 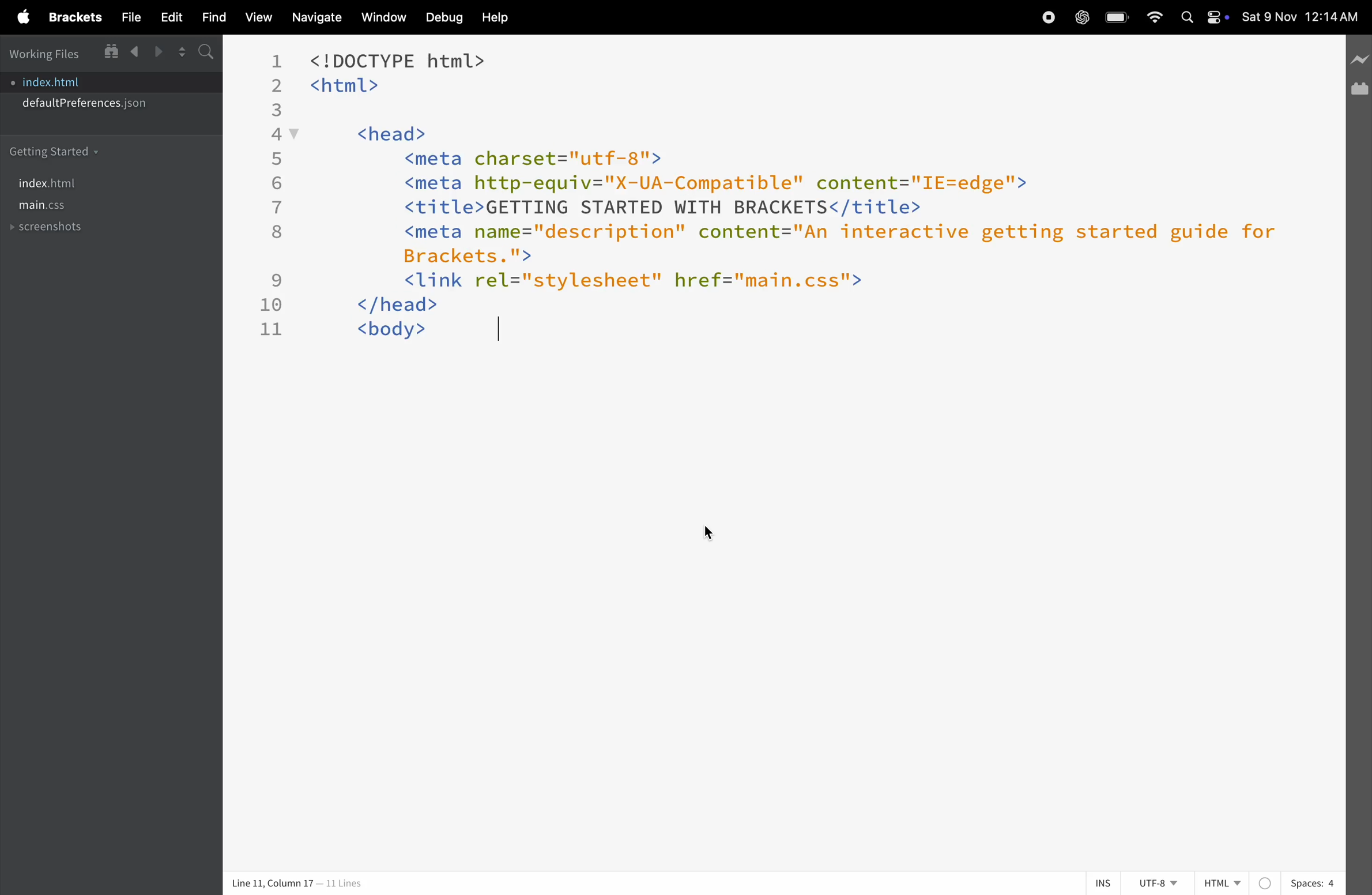 I want to click on cursor, so click(x=708, y=531).